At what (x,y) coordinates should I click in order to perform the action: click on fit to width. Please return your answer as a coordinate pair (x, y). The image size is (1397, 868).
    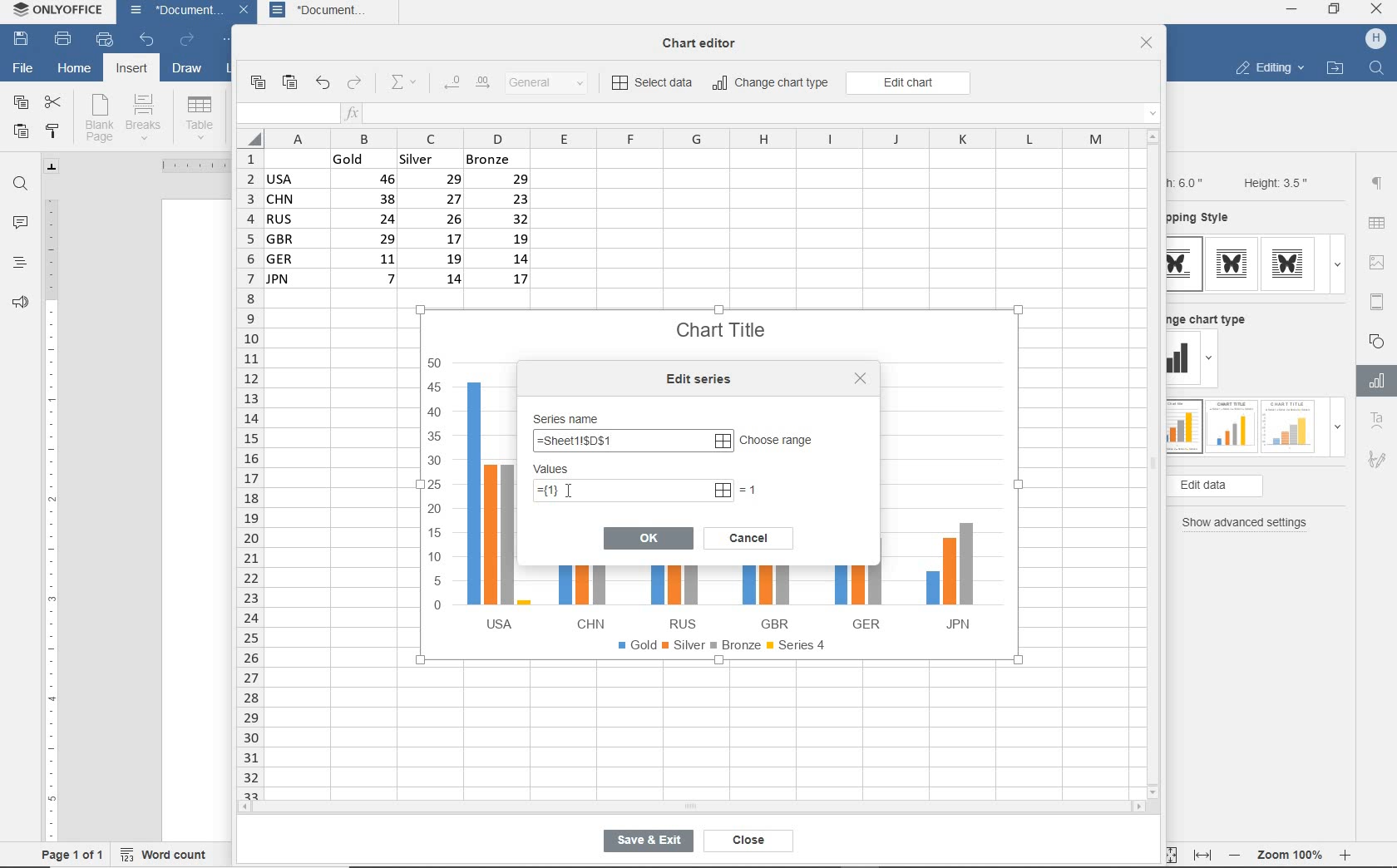
    Looking at the image, I should click on (1202, 855).